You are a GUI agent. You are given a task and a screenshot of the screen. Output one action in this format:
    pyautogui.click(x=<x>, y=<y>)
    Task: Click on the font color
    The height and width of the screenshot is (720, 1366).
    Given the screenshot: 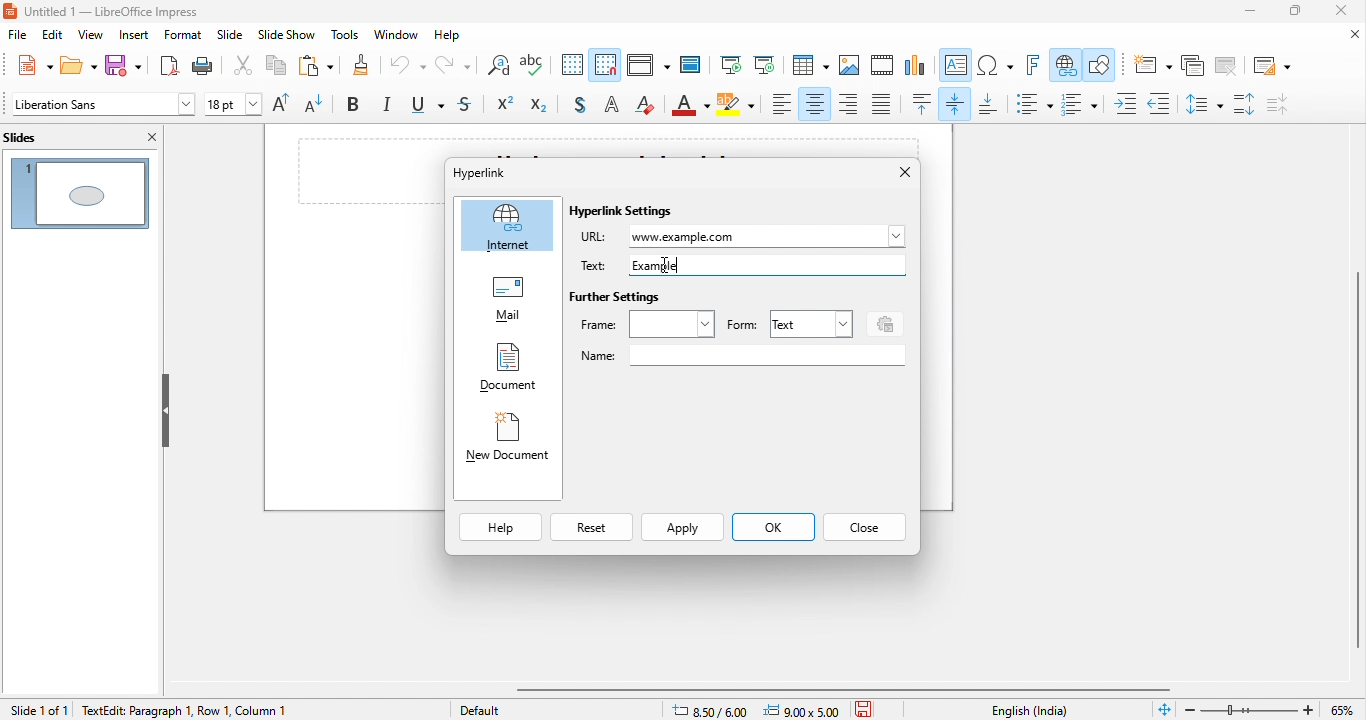 What is the action you would take?
    pyautogui.click(x=691, y=107)
    